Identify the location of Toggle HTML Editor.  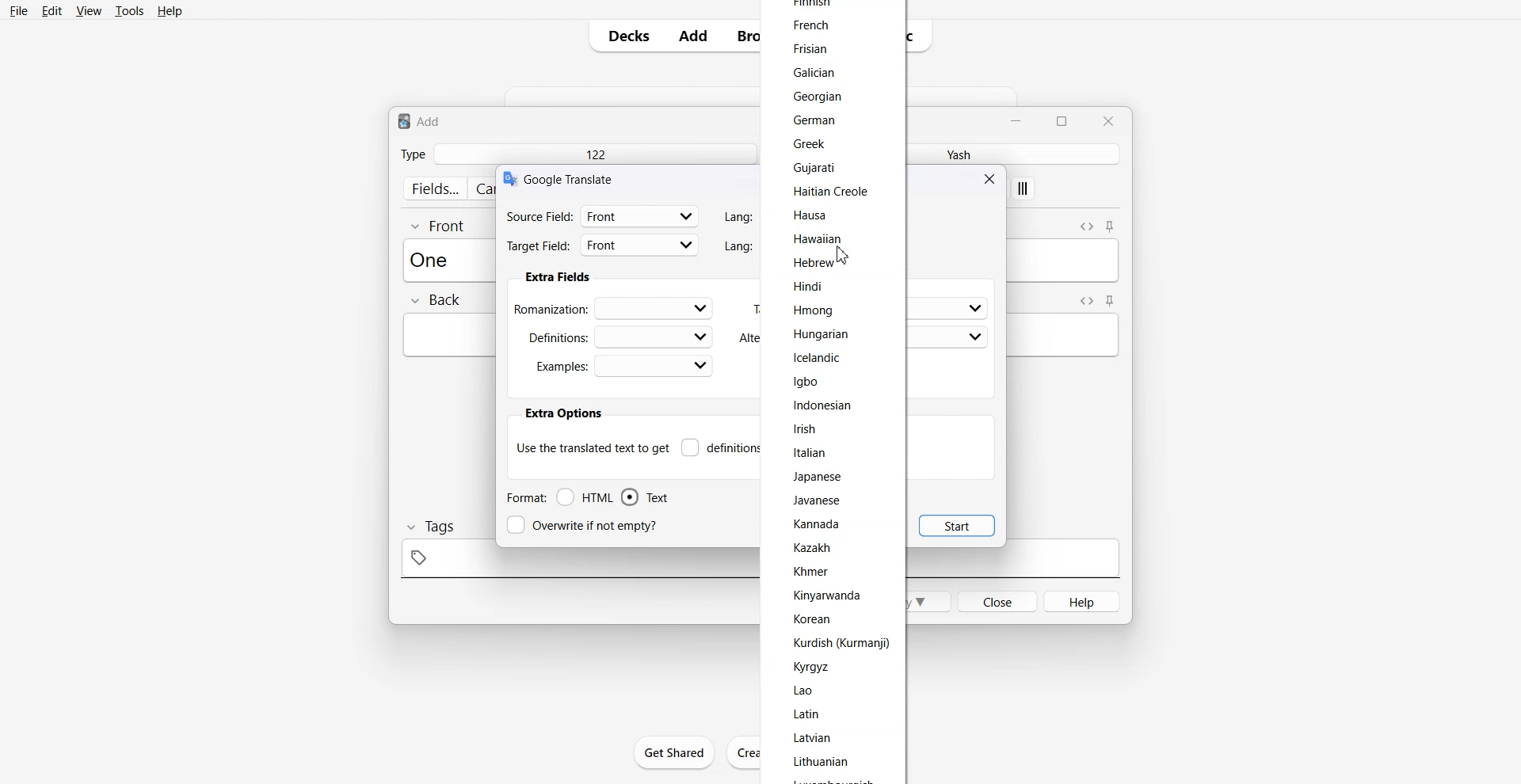
(1086, 225).